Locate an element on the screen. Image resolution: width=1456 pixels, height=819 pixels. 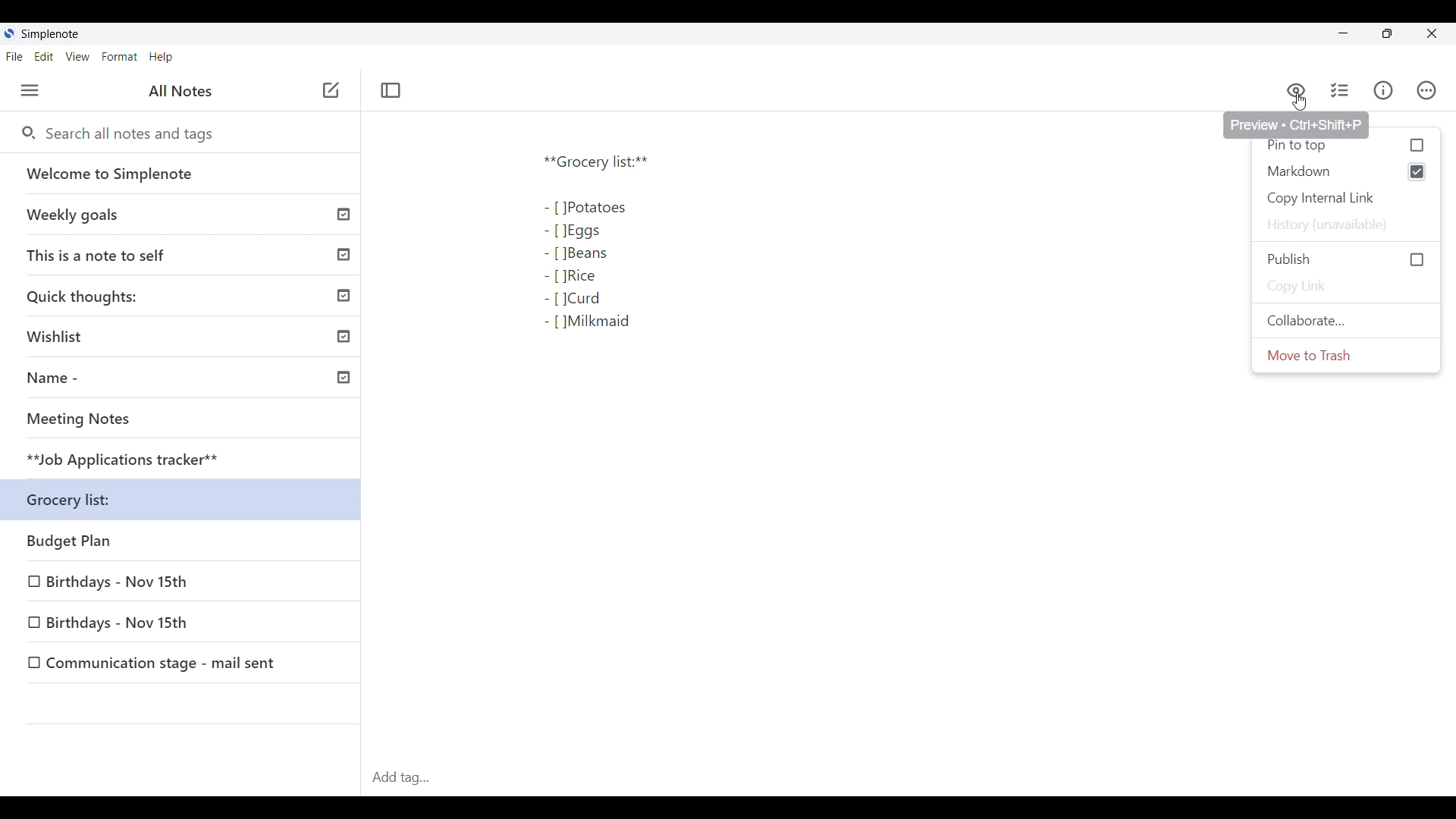
History (unavailable) is located at coordinates (1345, 225).